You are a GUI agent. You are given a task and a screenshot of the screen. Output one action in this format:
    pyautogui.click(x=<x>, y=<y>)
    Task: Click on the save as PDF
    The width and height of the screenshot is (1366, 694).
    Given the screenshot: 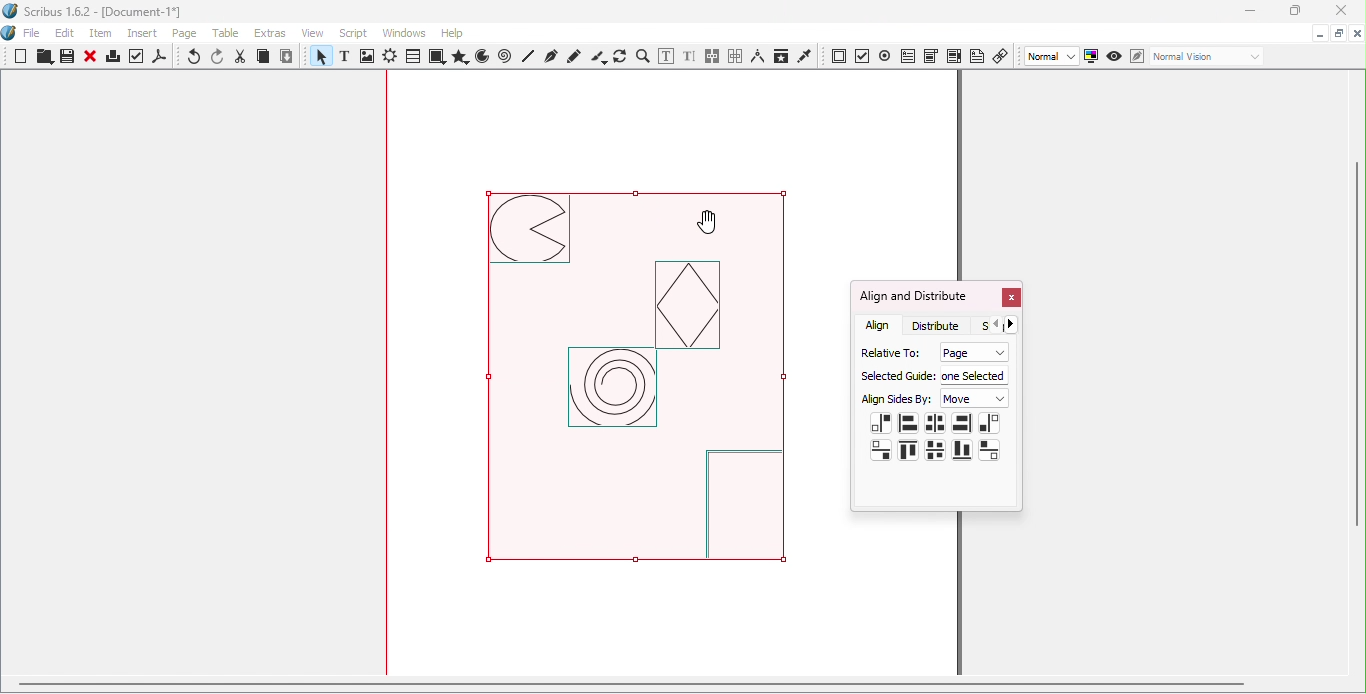 What is the action you would take?
    pyautogui.click(x=161, y=59)
    